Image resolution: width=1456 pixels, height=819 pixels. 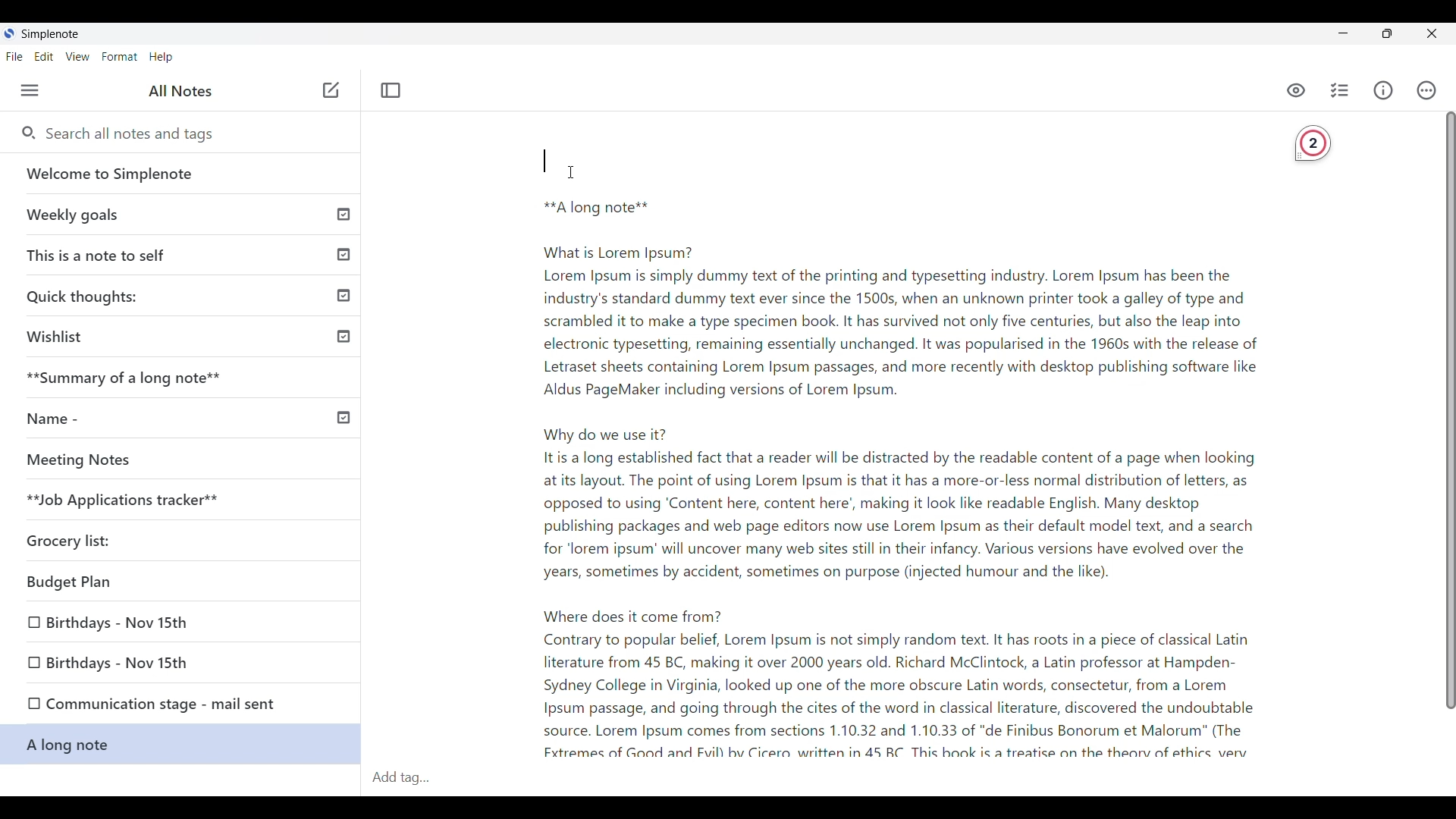 What do you see at coordinates (1388, 35) in the screenshot?
I see `Resize` at bounding box center [1388, 35].